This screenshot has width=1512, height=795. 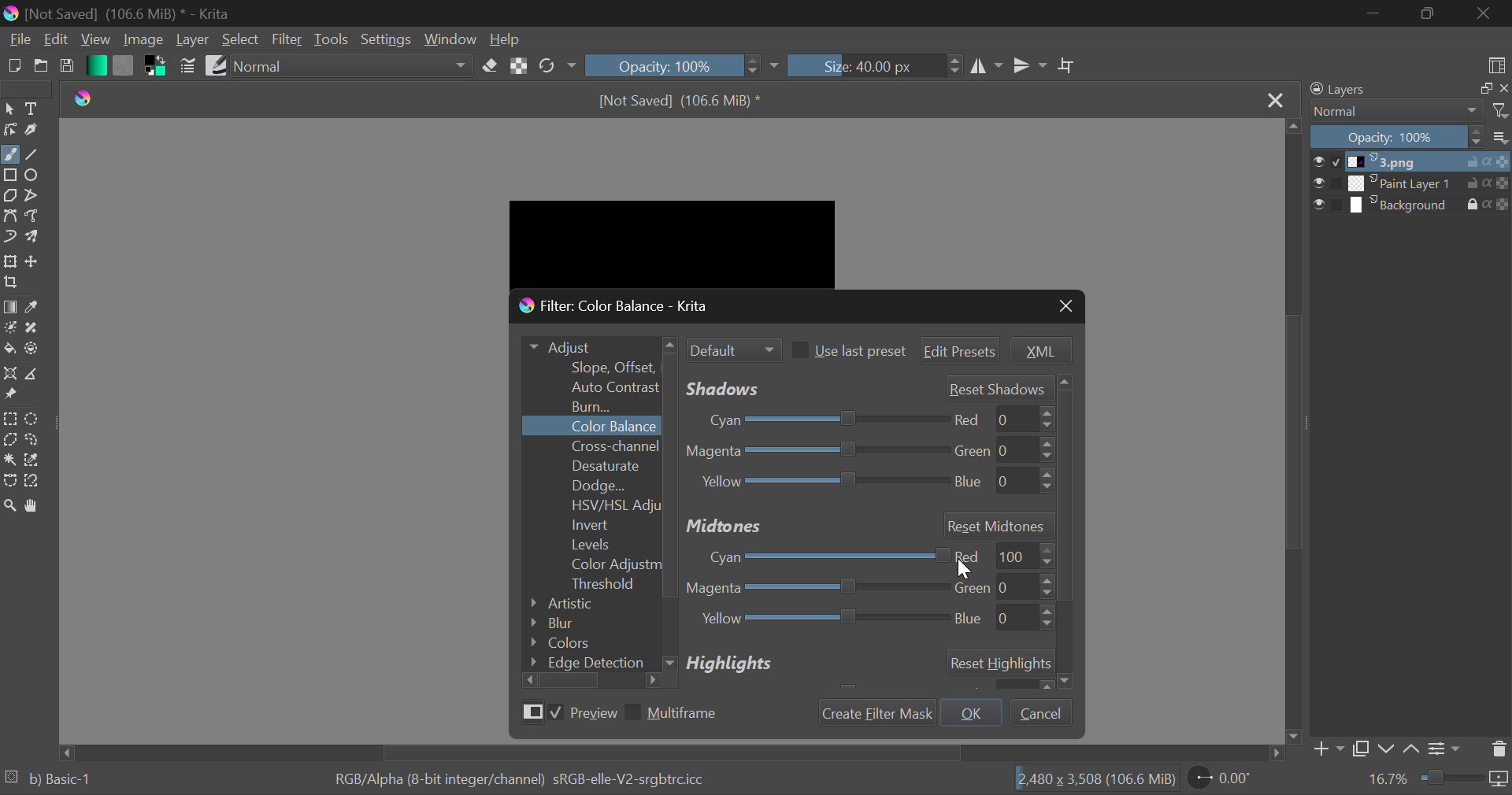 I want to click on Eyedropper, so click(x=36, y=308).